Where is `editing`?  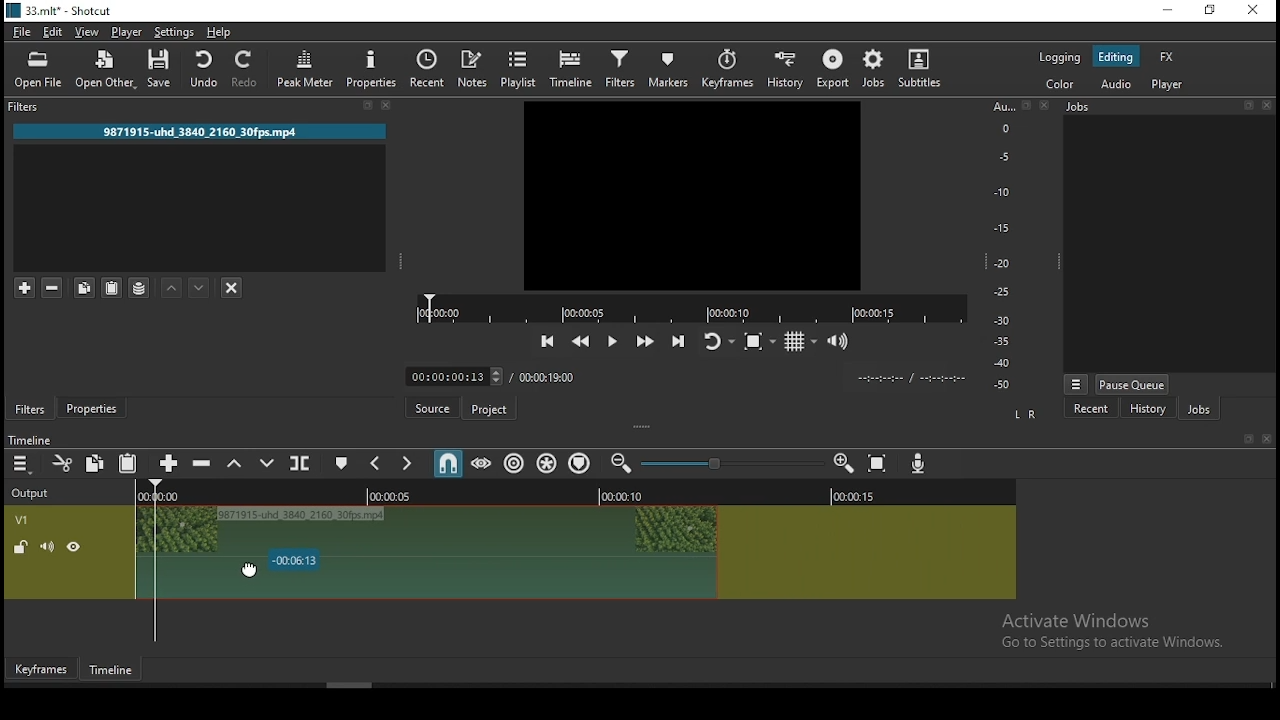 editing is located at coordinates (1121, 58).